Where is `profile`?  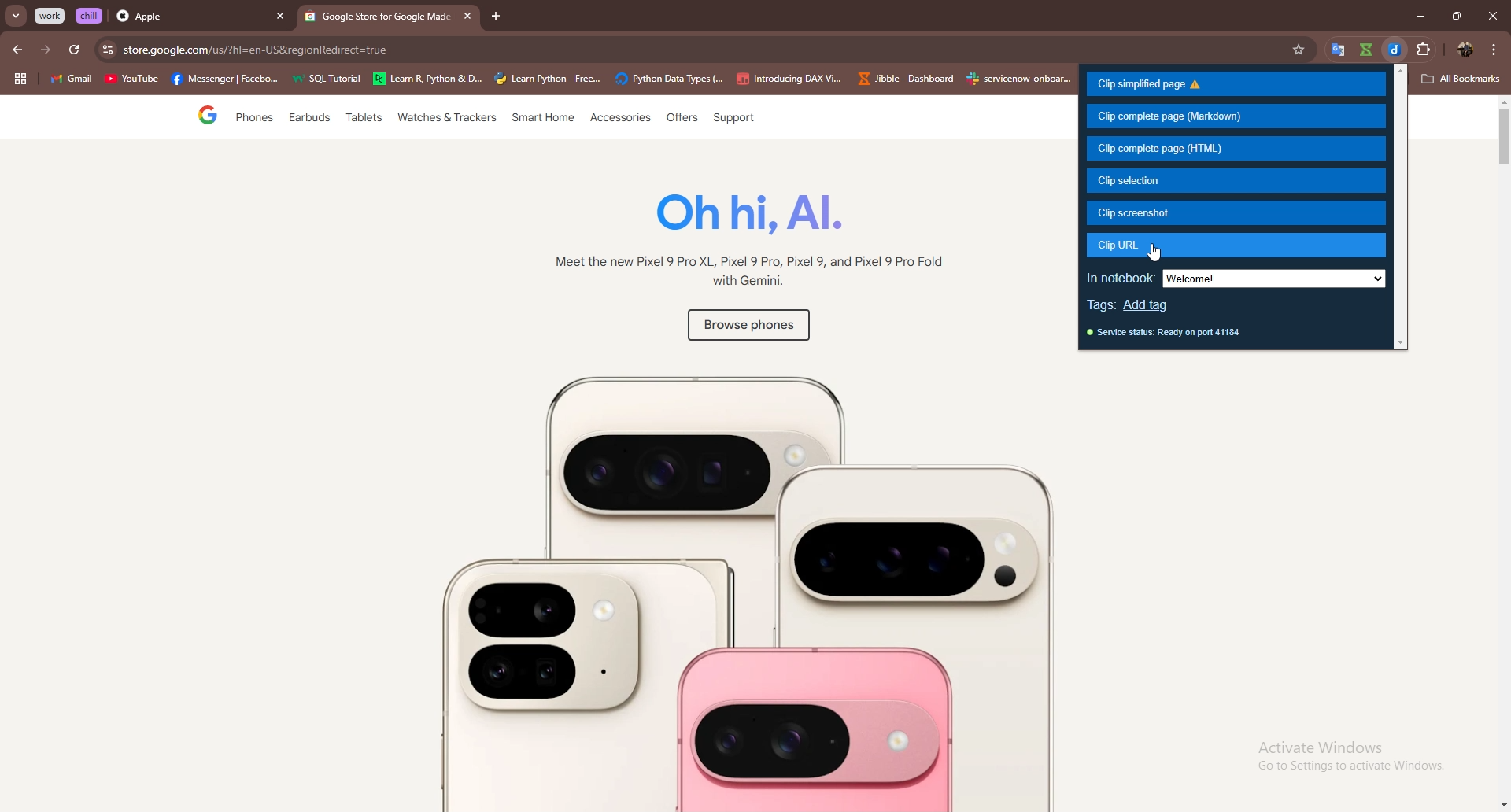
profile is located at coordinates (1462, 50).